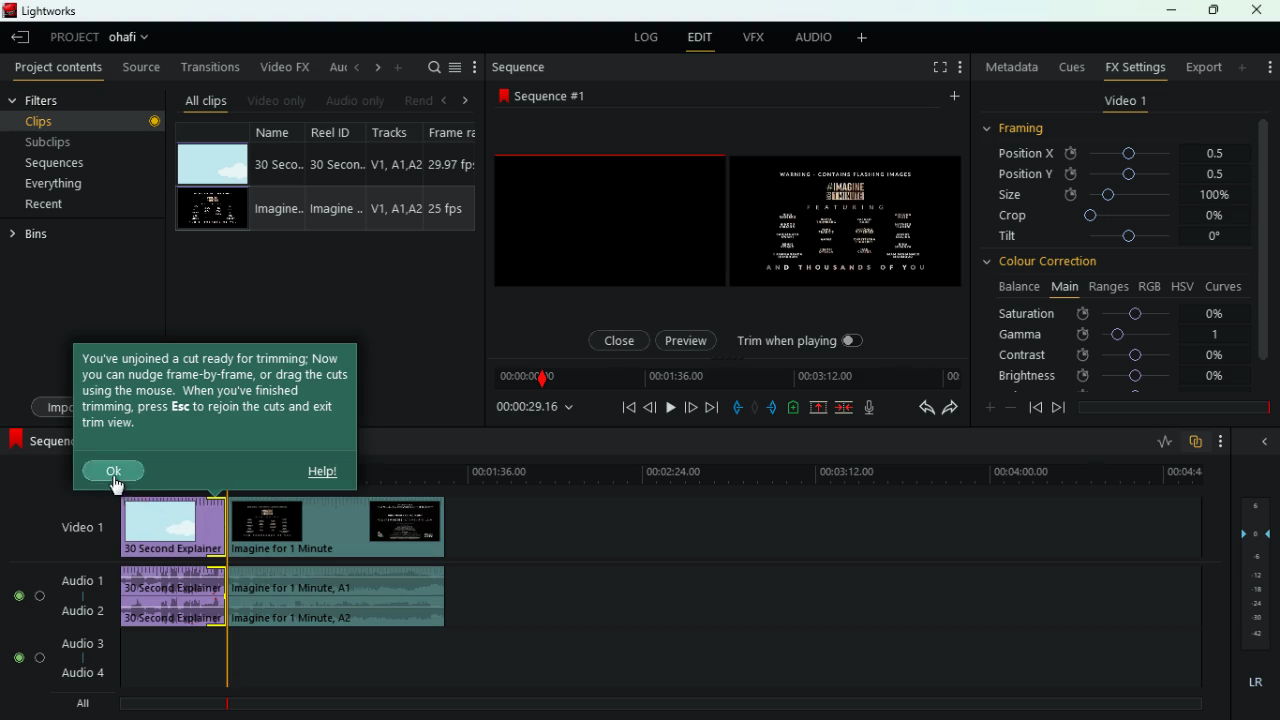 This screenshot has height=720, width=1280. What do you see at coordinates (171, 526) in the screenshot?
I see `video` at bounding box center [171, 526].